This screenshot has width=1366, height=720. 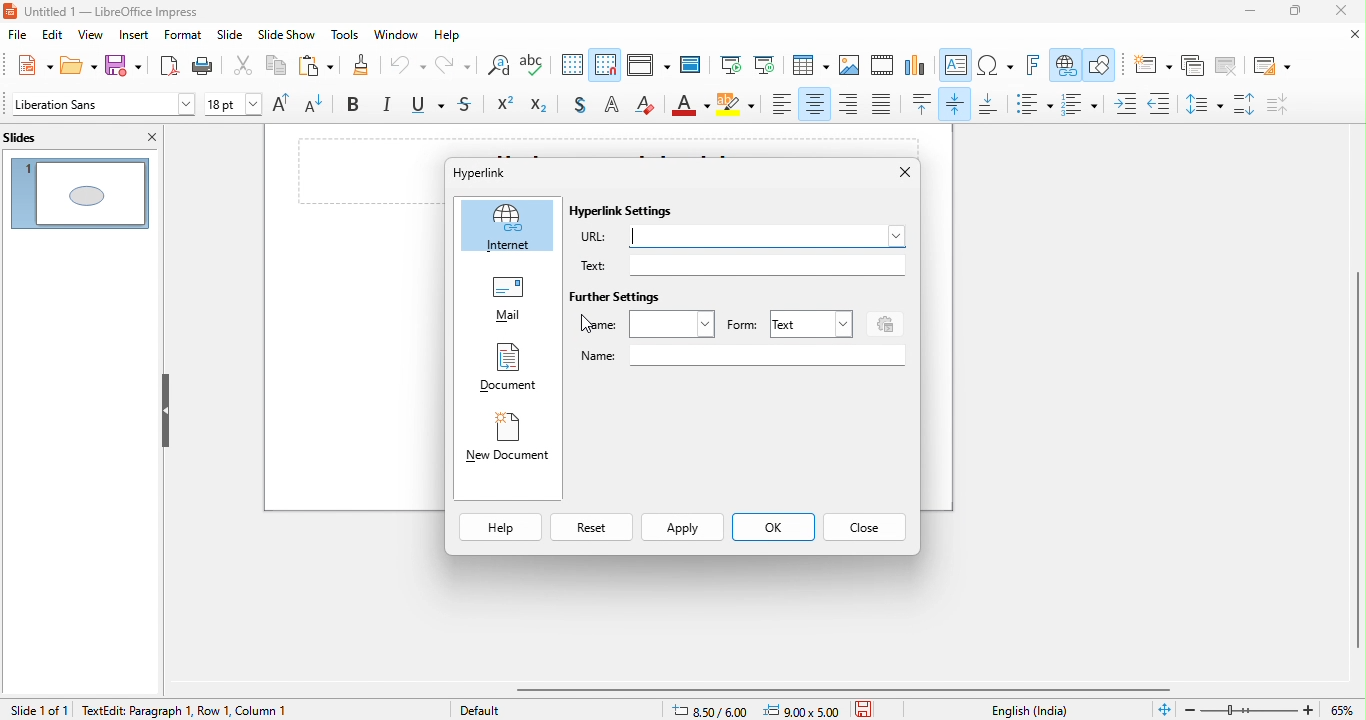 What do you see at coordinates (923, 104) in the screenshot?
I see `align top` at bounding box center [923, 104].